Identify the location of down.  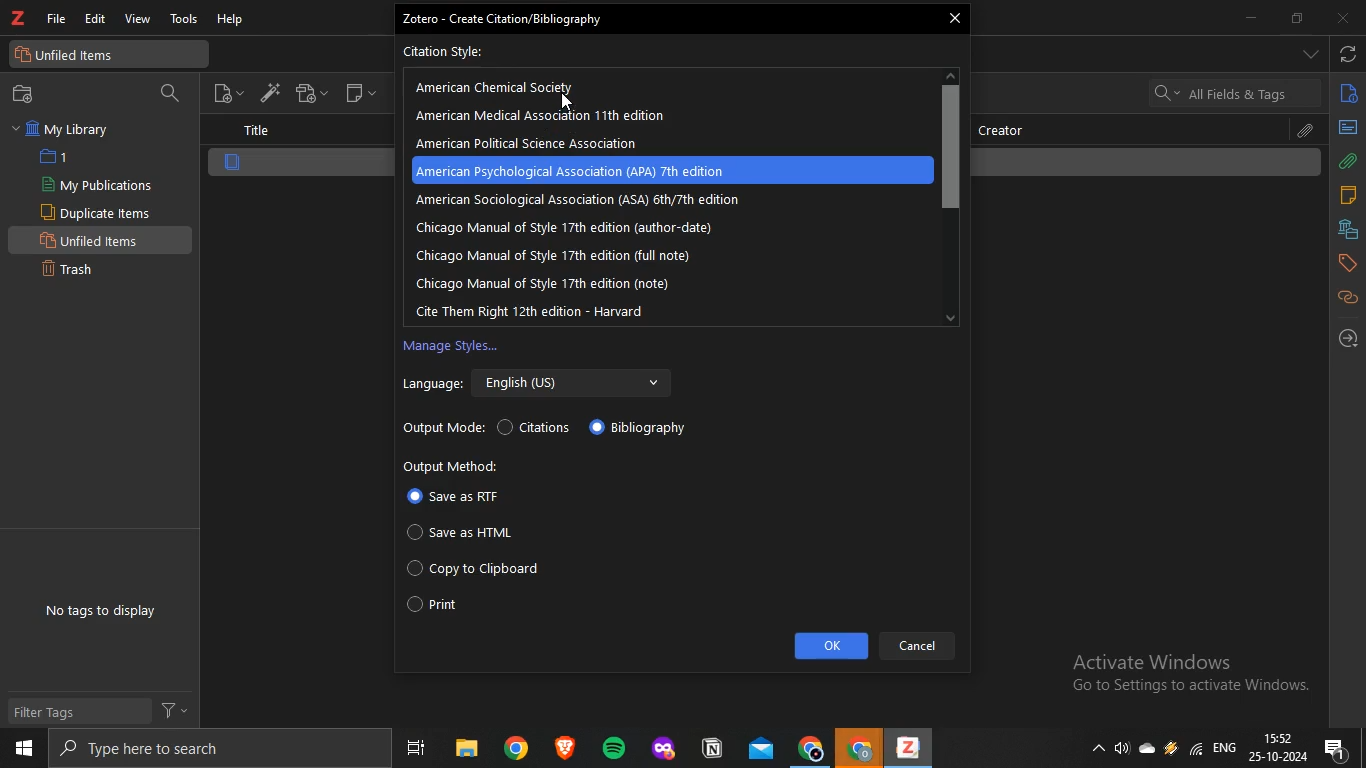
(952, 317).